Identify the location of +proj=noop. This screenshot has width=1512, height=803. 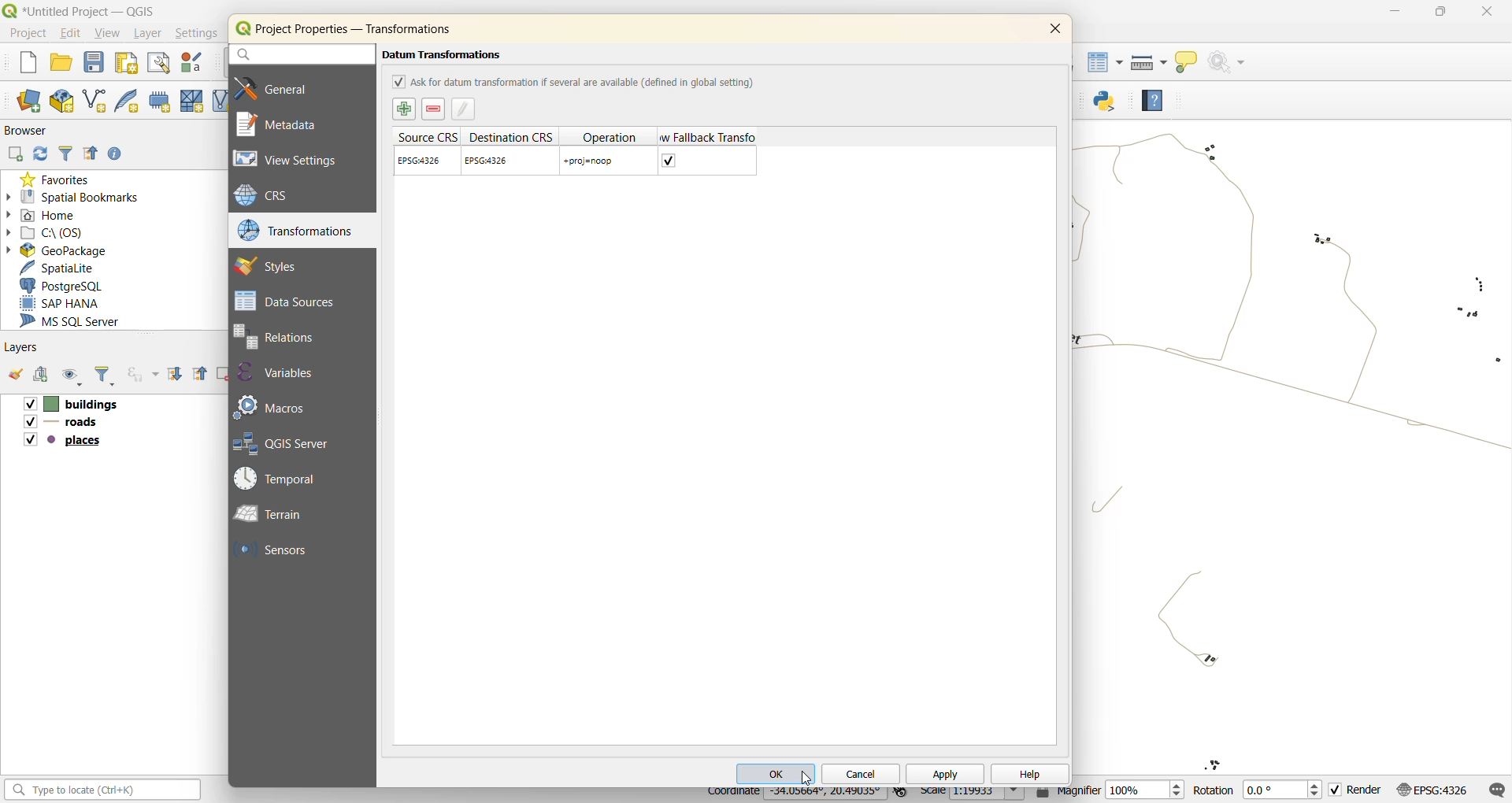
(590, 161).